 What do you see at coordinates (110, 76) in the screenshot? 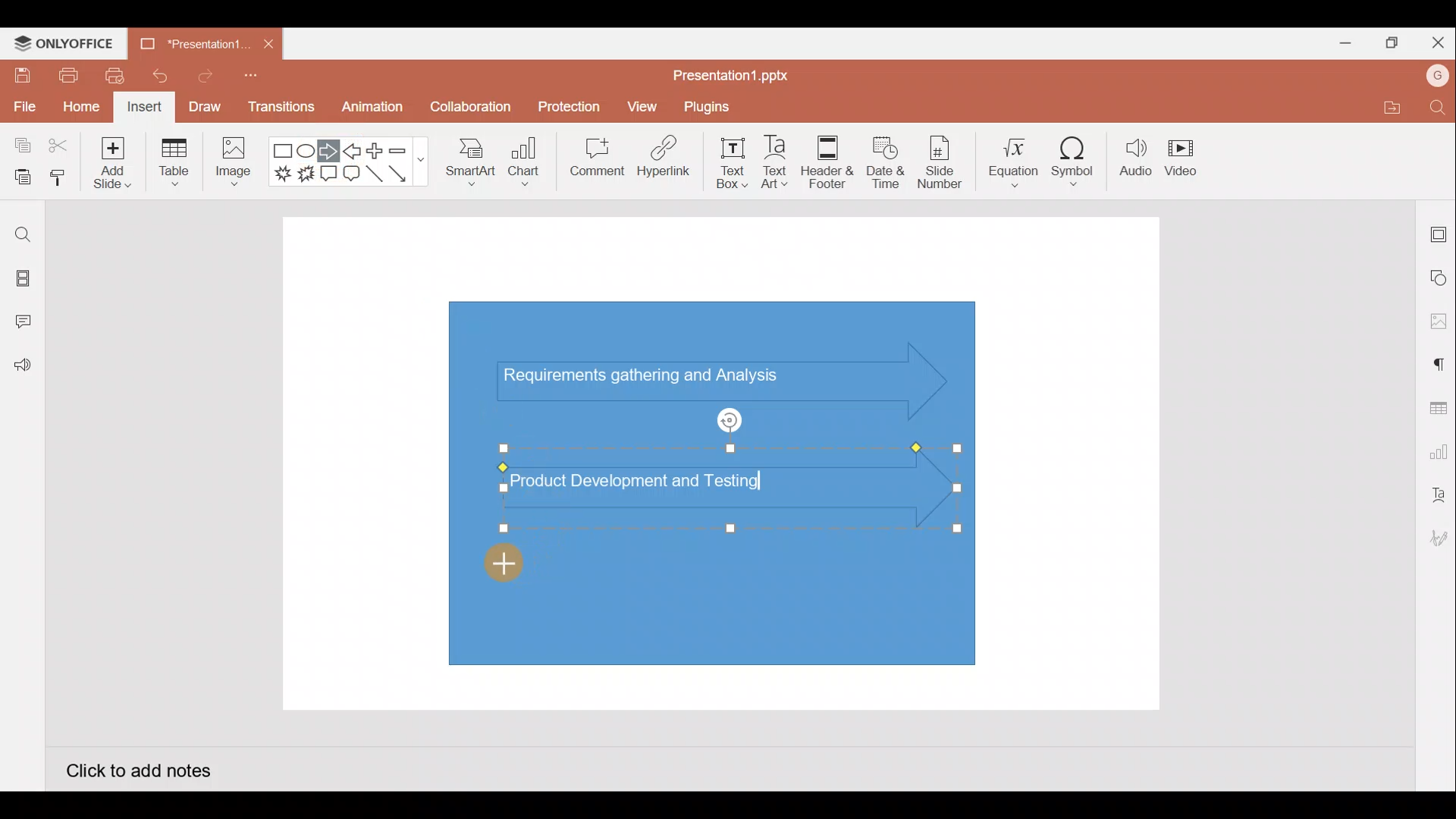
I see `Quick print` at bounding box center [110, 76].